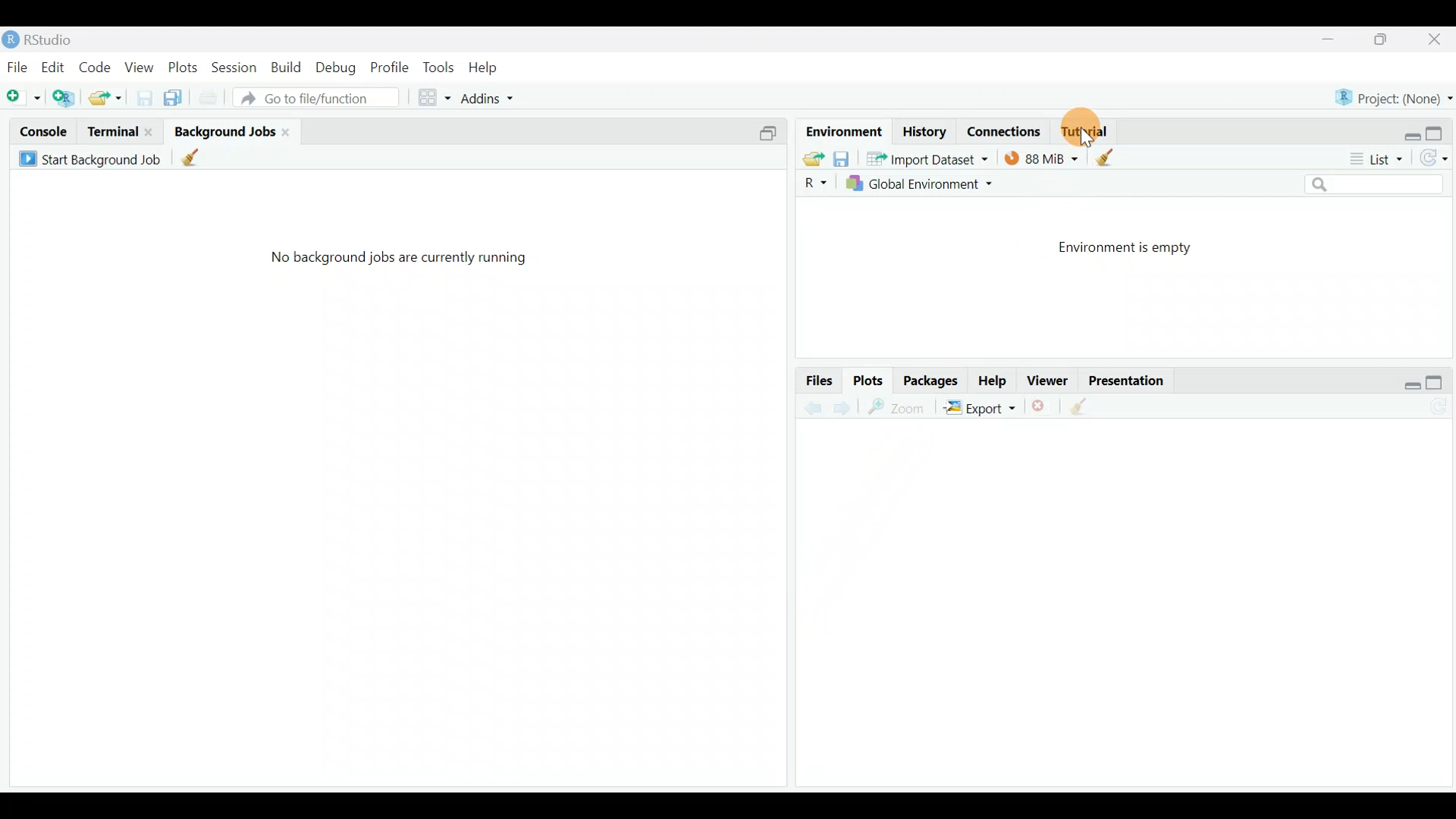  What do you see at coordinates (1009, 130) in the screenshot?
I see `Connections` at bounding box center [1009, 130].